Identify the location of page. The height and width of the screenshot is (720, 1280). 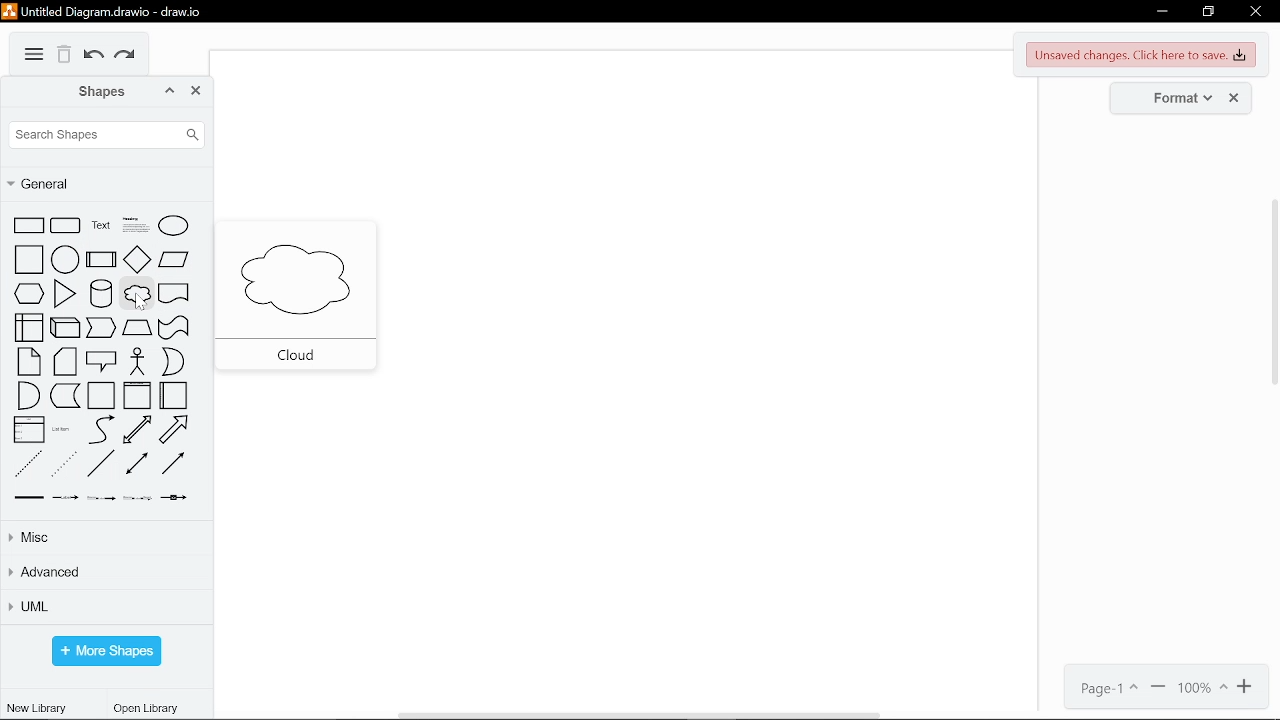
(1112, 688).